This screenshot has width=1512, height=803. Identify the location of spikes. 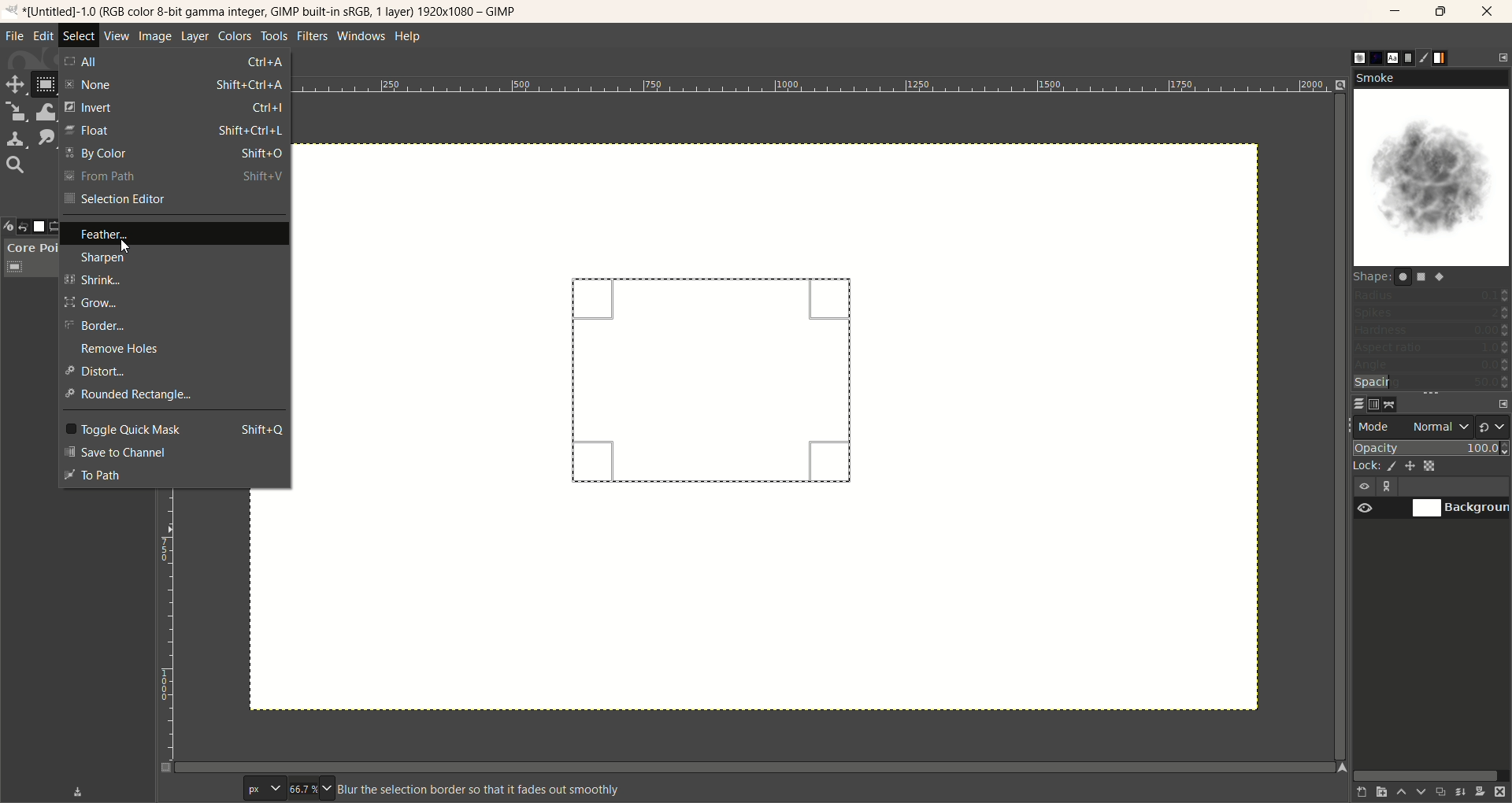
(1431, 314).